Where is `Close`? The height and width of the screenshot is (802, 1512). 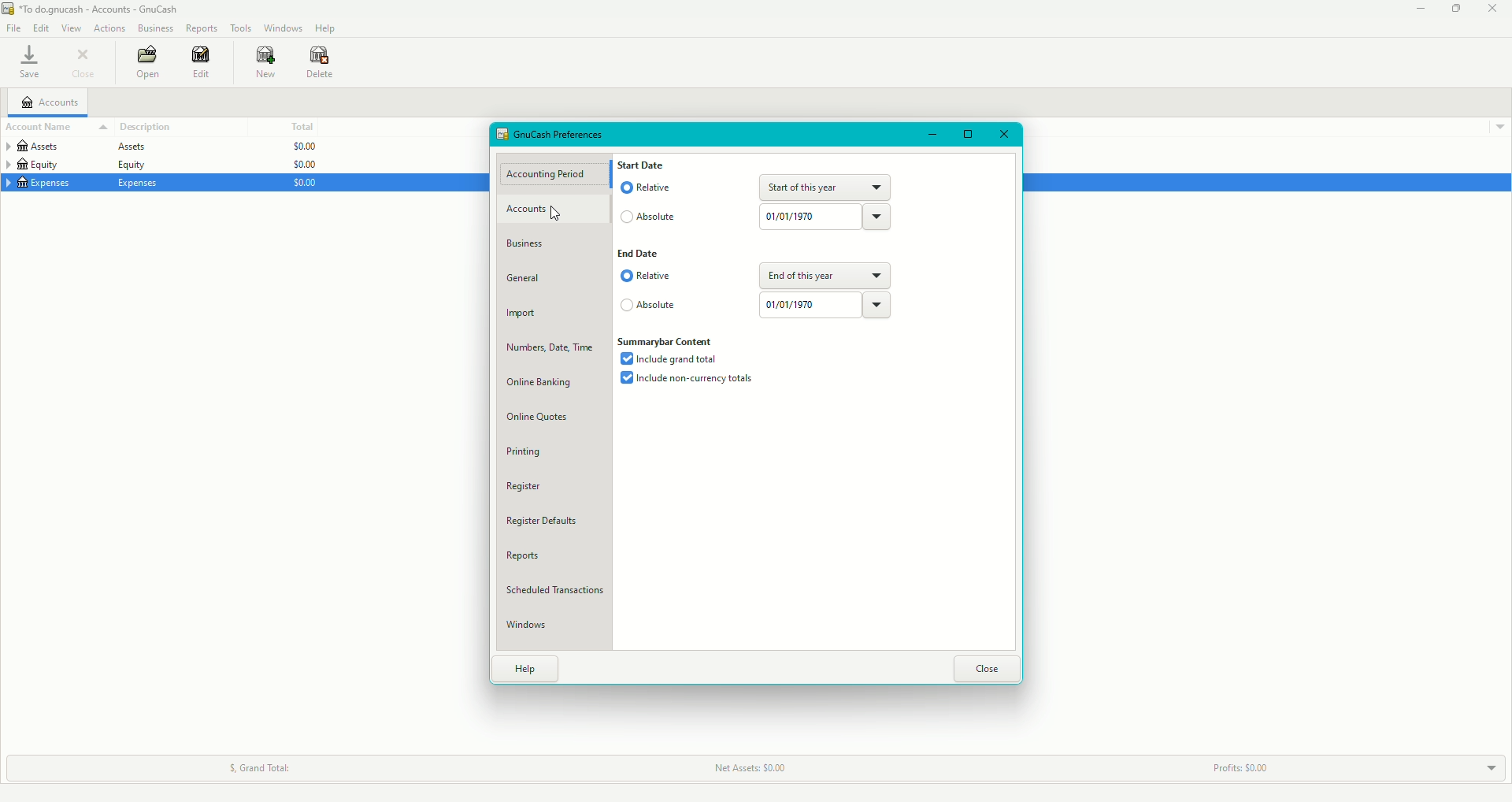 Close is located at coordinates (1003, 136).